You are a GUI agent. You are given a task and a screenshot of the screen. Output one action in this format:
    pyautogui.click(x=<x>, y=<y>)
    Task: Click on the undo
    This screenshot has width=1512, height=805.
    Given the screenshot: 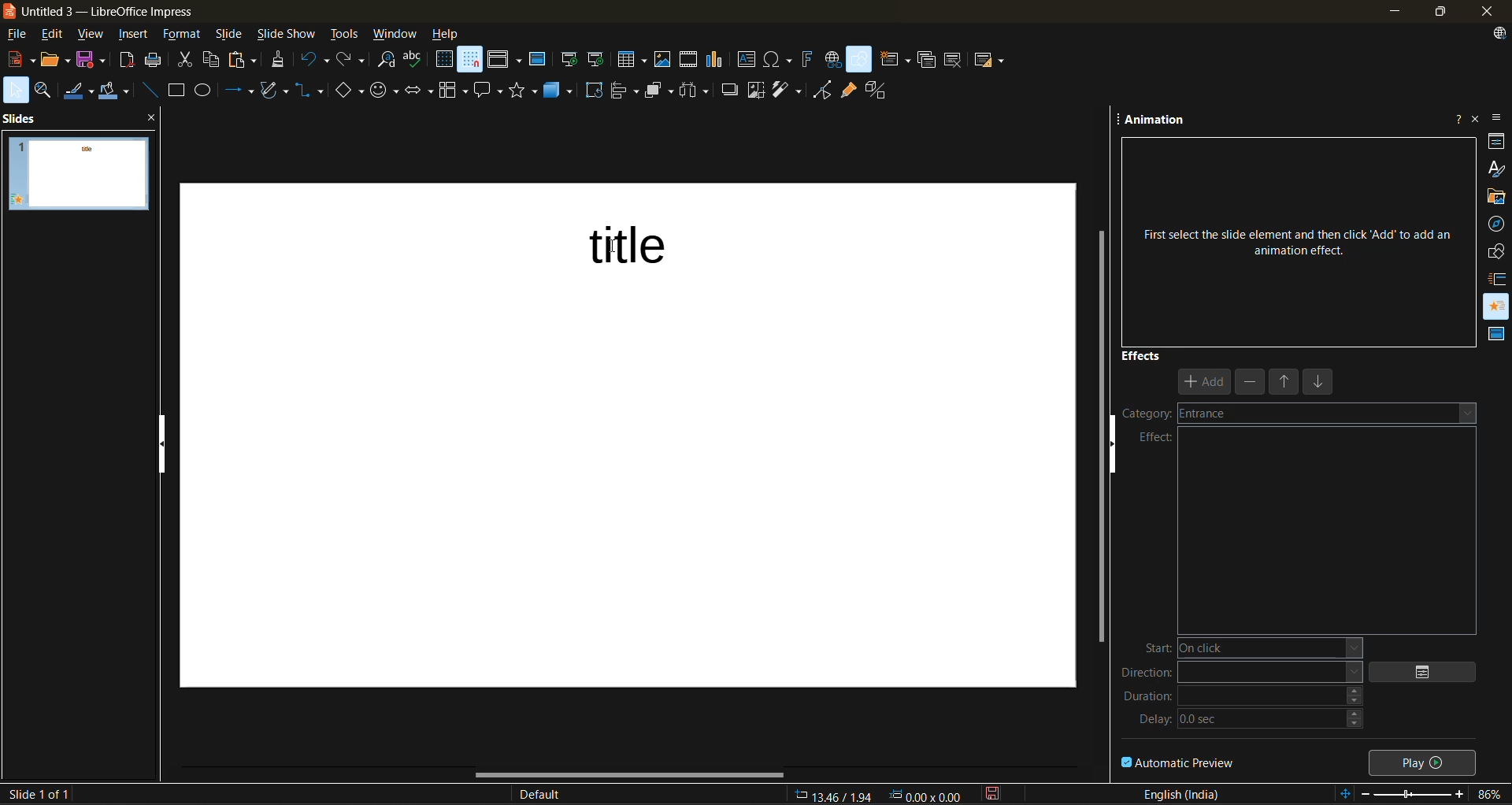 What is the action you would take?
    pyautogui.click(x=313, y=61)
    